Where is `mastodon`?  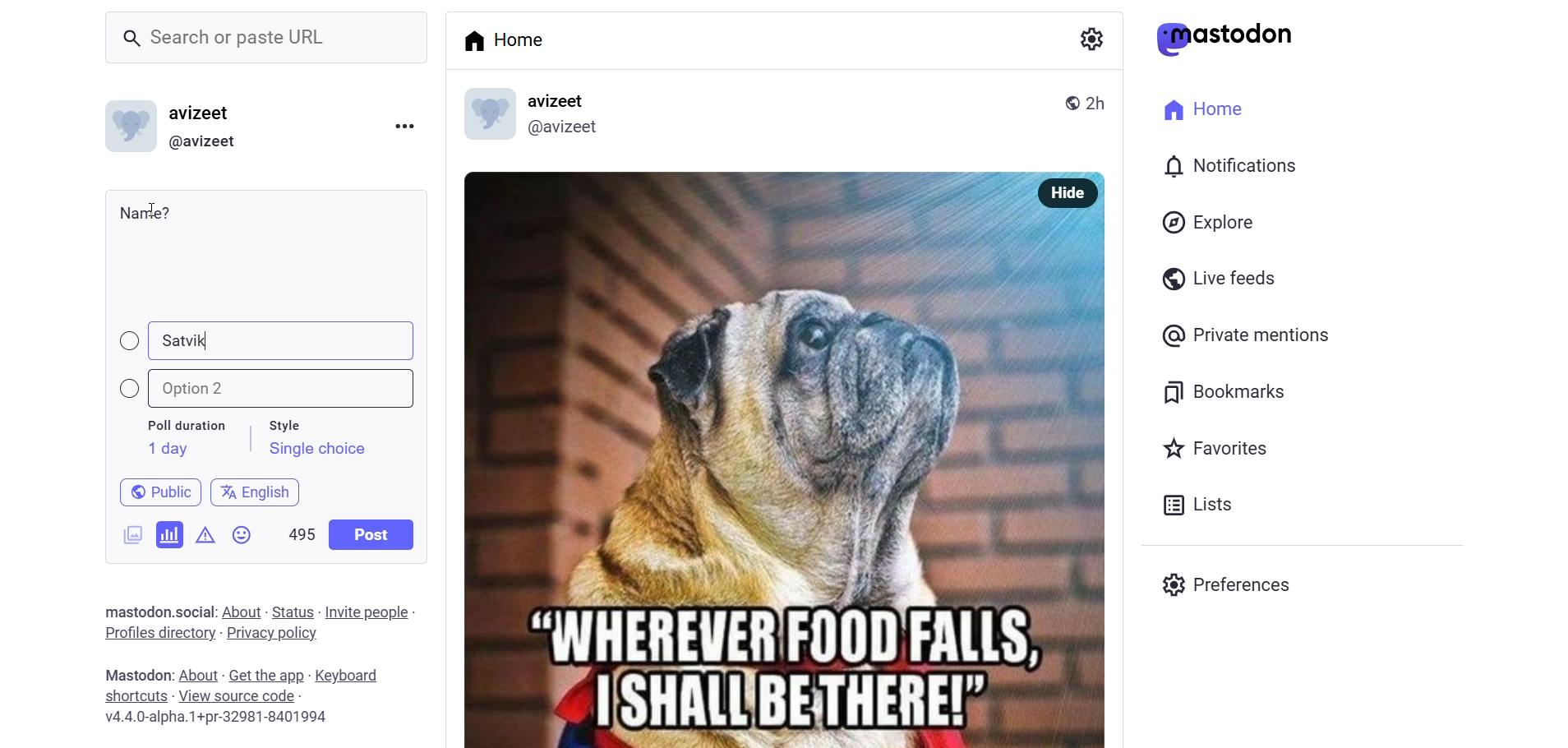 mastodon is located at coordinates (1225, 39).